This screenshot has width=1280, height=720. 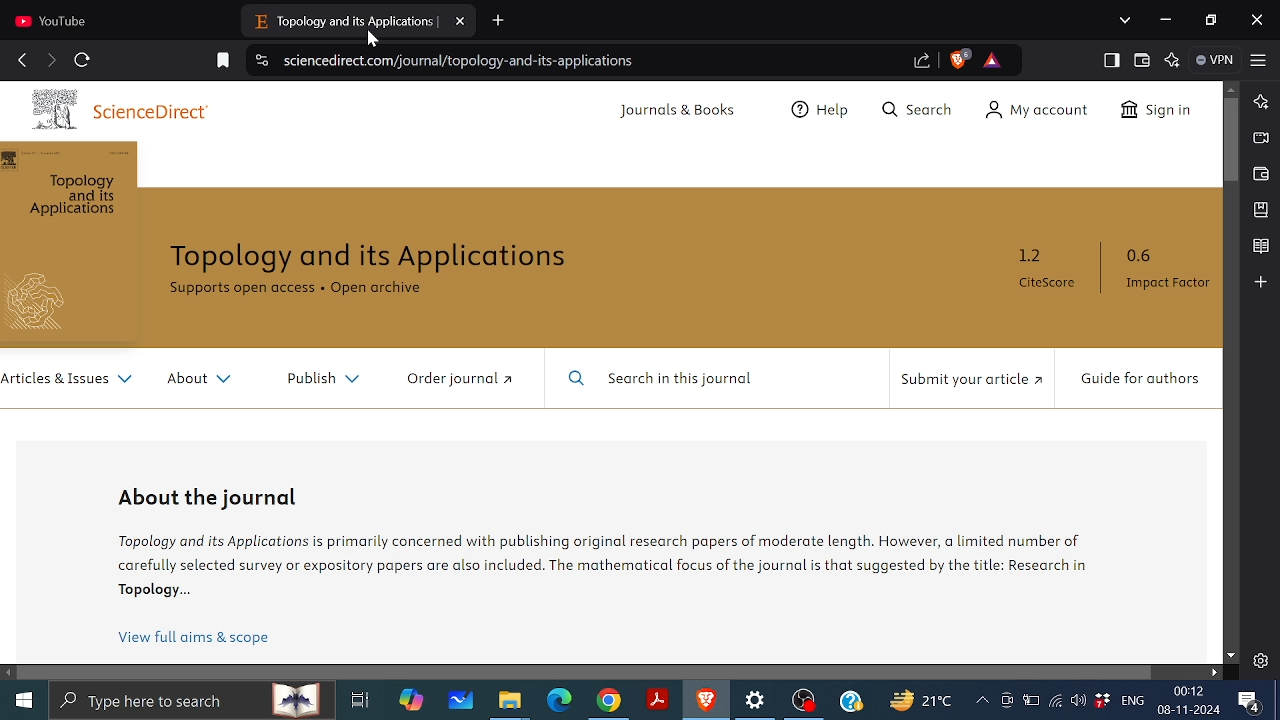 I want to click on Battery, so click(x=1031, y=699).